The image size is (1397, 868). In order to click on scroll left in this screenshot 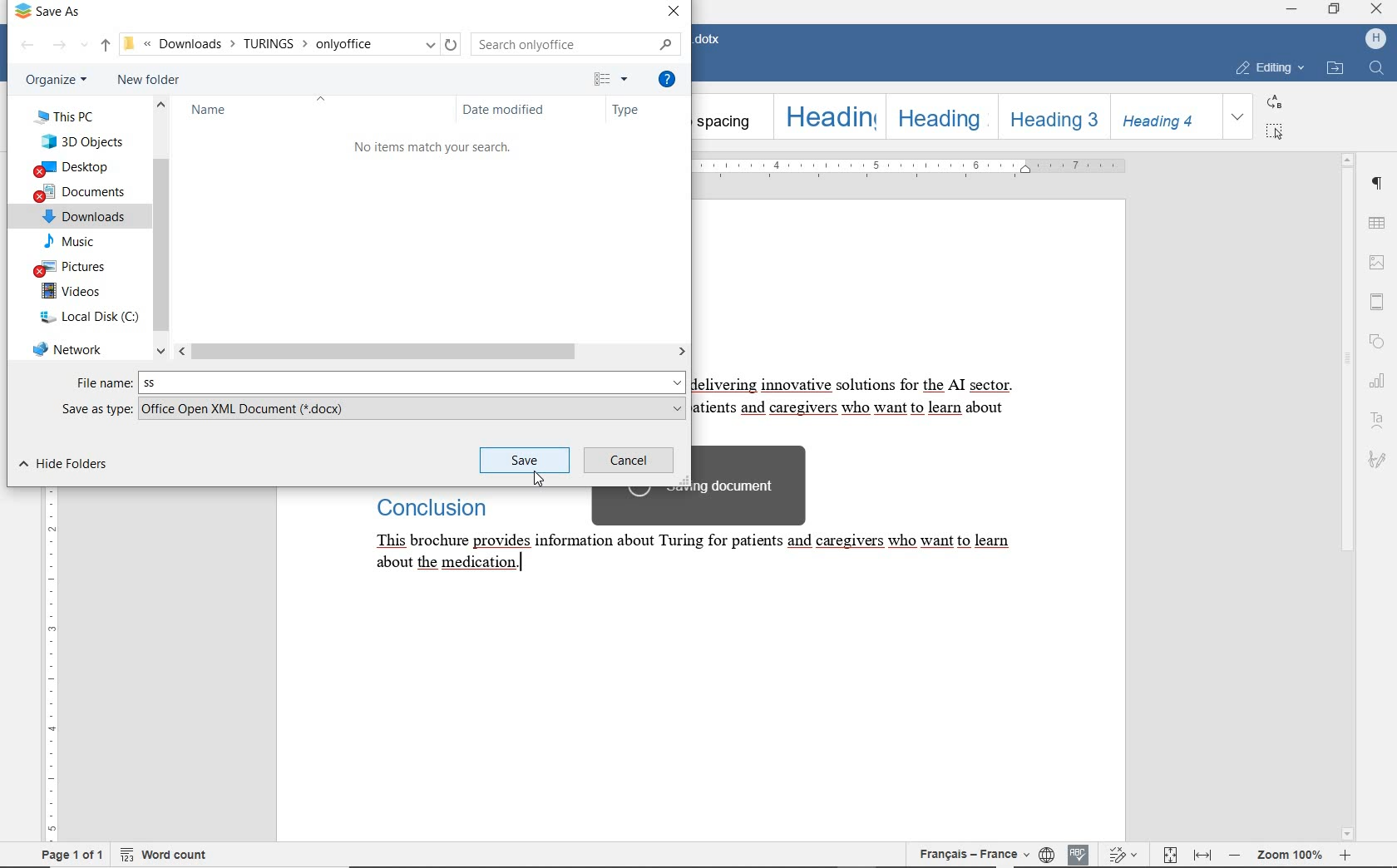, I will do `click(185, 351)`.